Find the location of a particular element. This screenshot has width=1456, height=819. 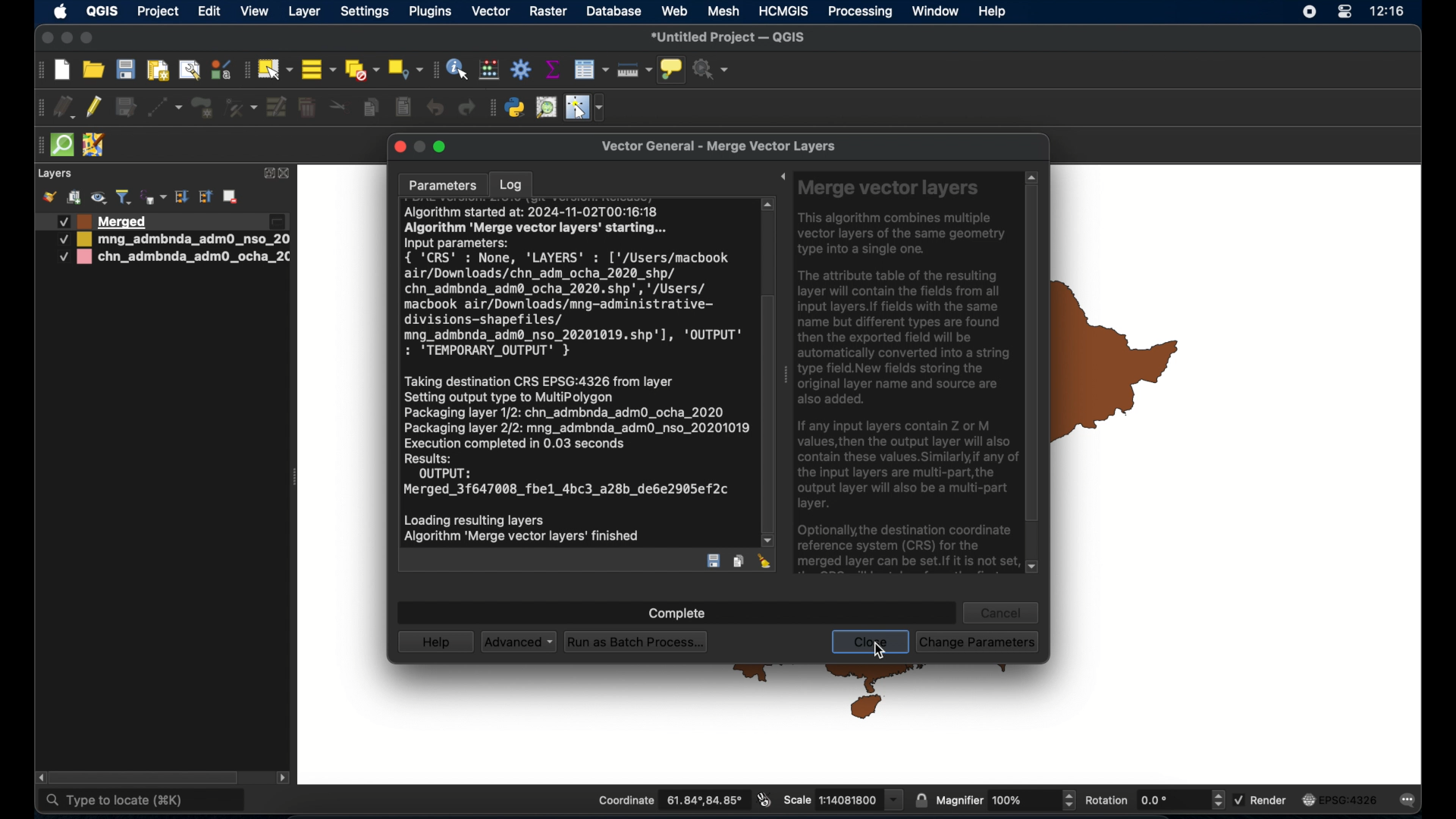

josh remote is located at coordinates (93, 146).